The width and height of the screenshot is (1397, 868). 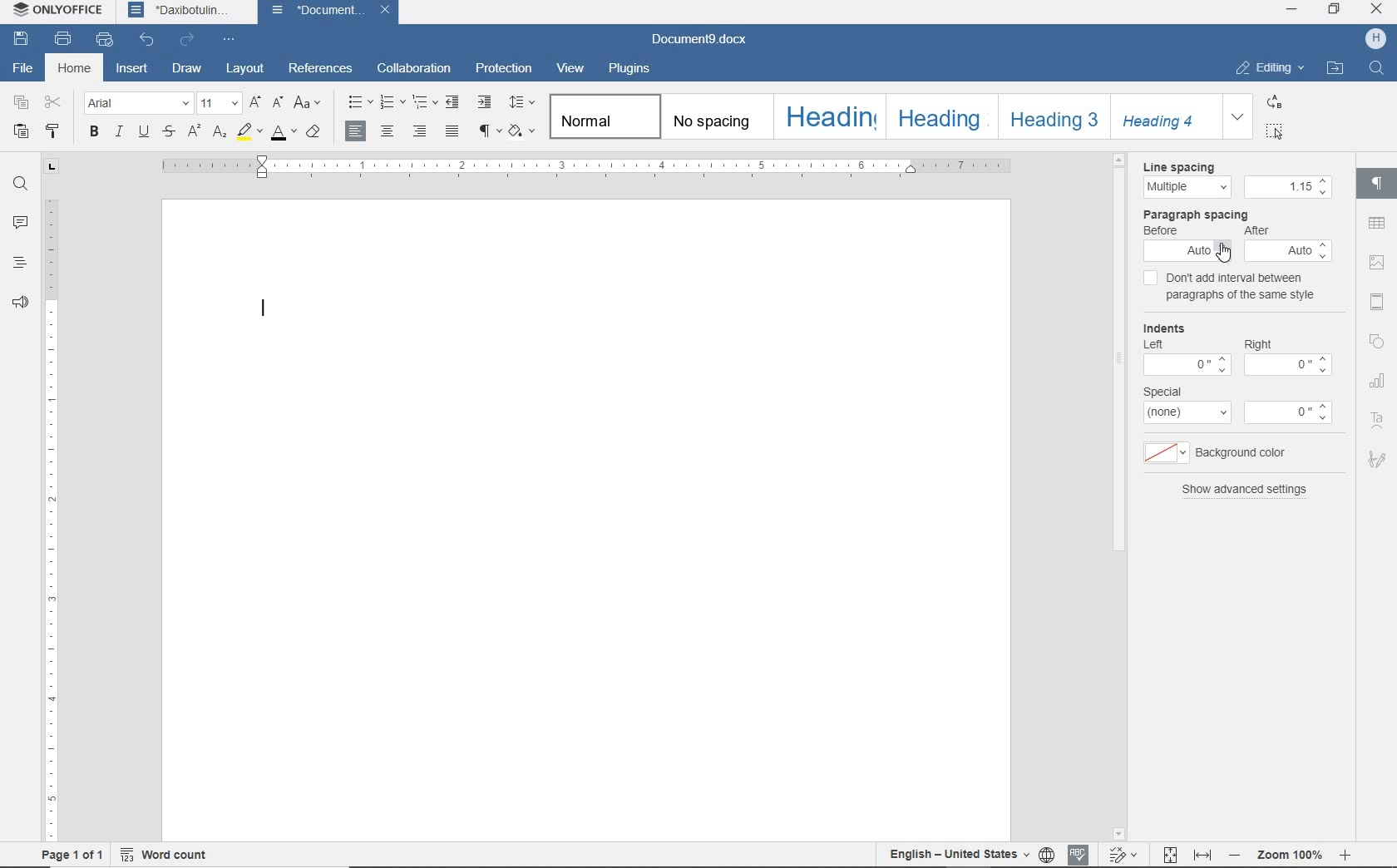 What do you see at coordinates (1239, 117) in the screenshot?
I see `EXPAND` at bounding box center [1239, 117].